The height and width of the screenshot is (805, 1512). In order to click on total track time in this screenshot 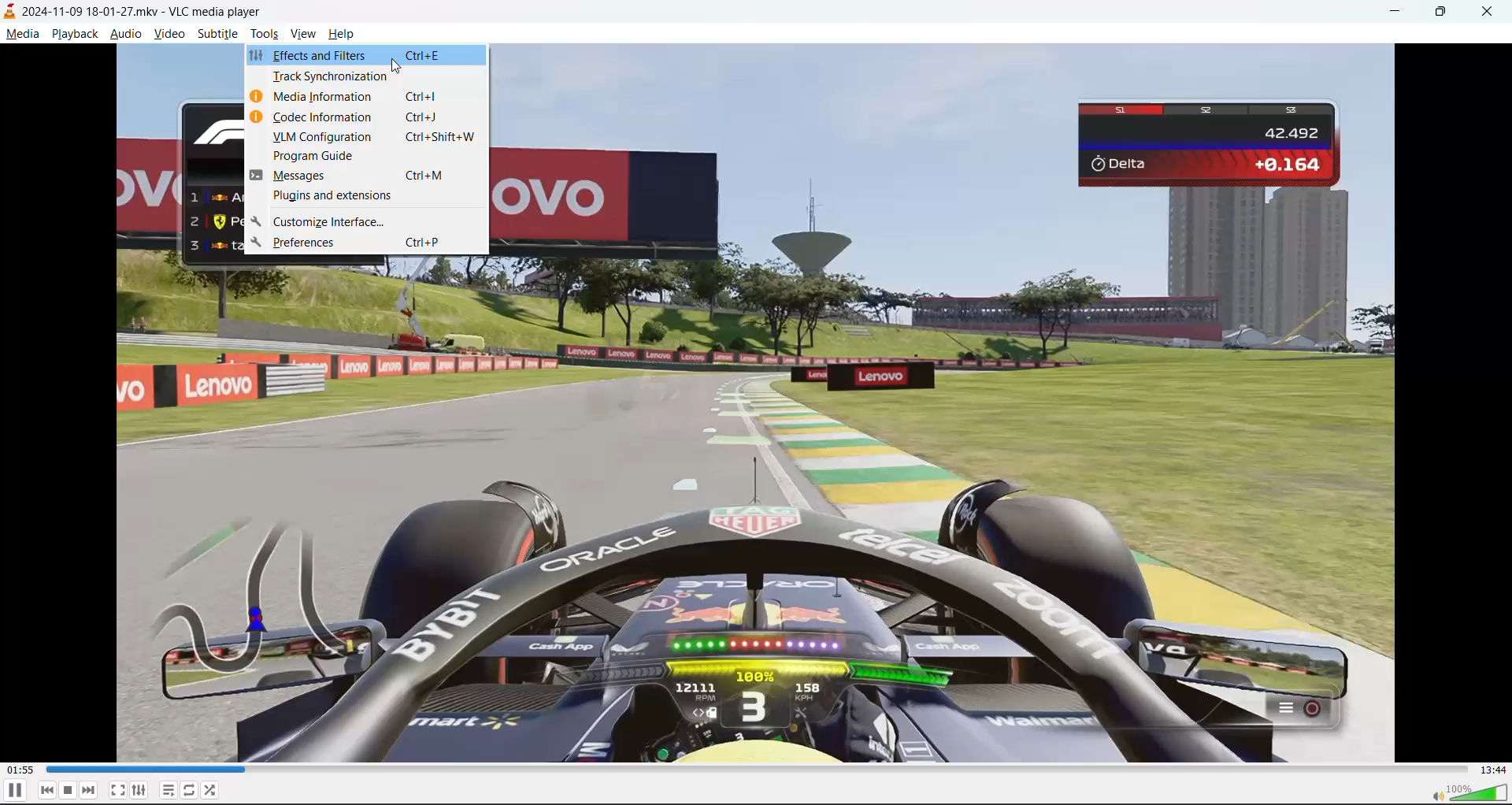, I will do `click(1489, 768)`.